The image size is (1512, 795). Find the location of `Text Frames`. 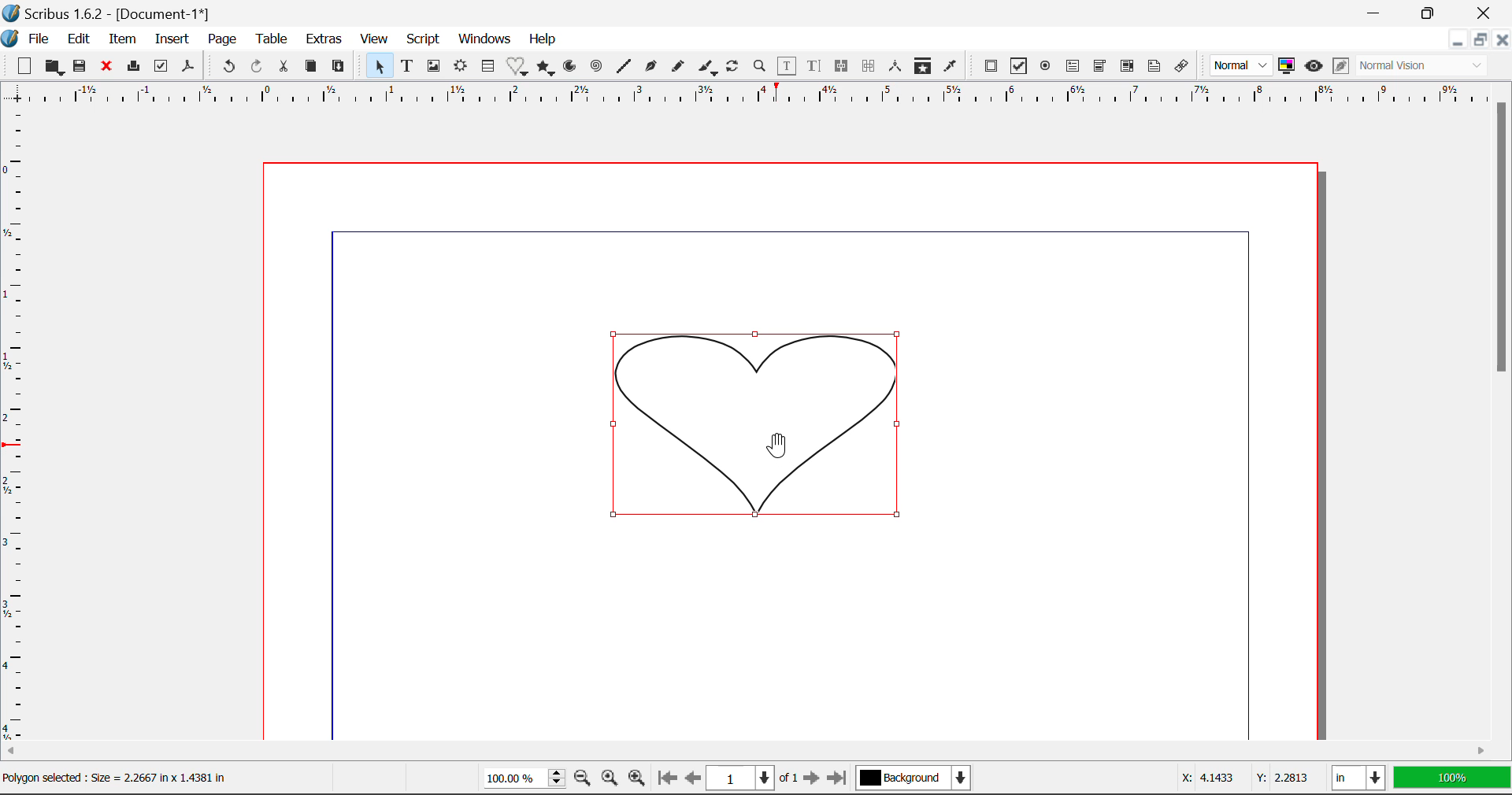

Text Frames is located at coordinates (408, 67).